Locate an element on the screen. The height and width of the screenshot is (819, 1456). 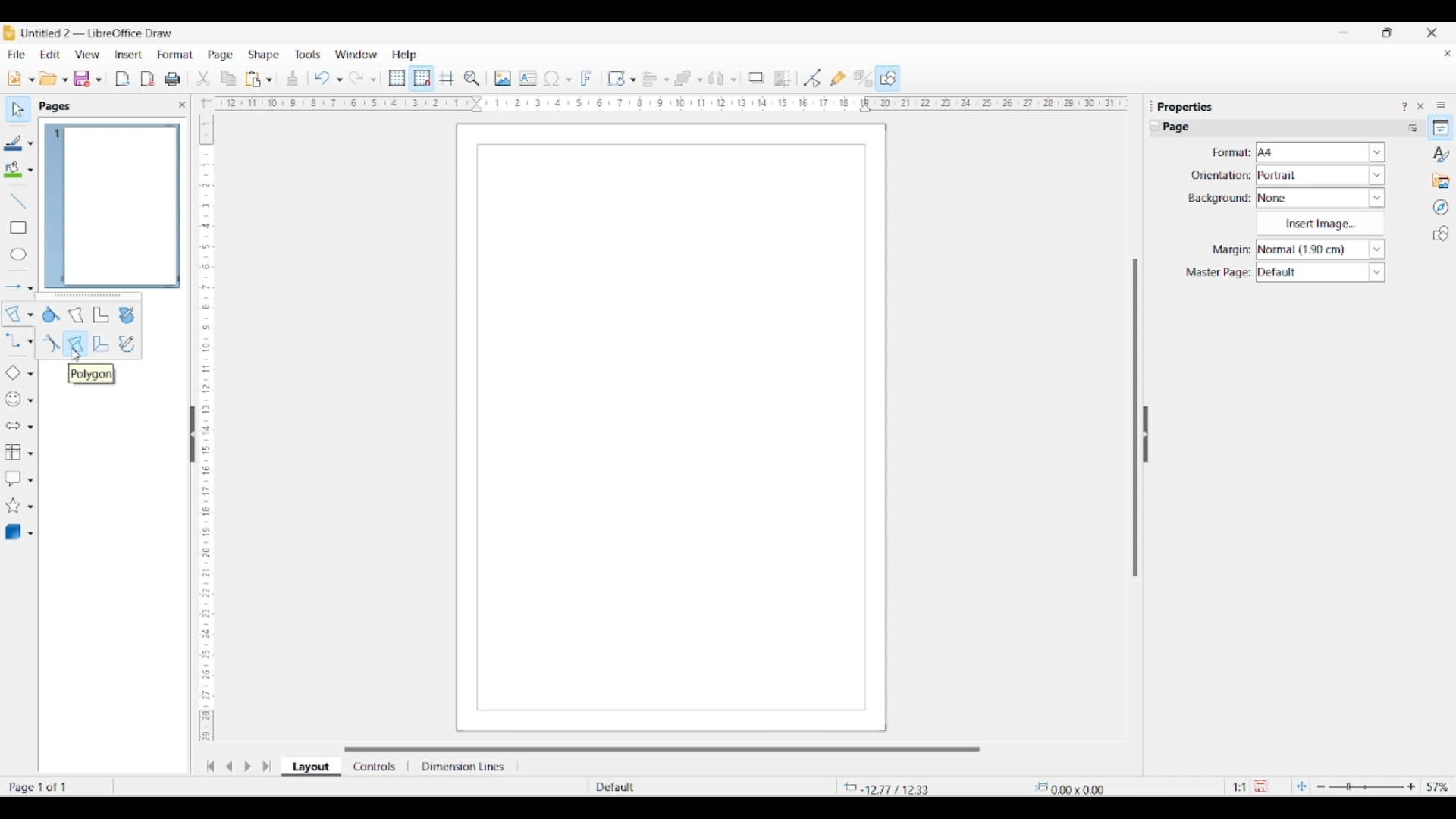
Float curves and polygons options is located at coordinates (88, 297).